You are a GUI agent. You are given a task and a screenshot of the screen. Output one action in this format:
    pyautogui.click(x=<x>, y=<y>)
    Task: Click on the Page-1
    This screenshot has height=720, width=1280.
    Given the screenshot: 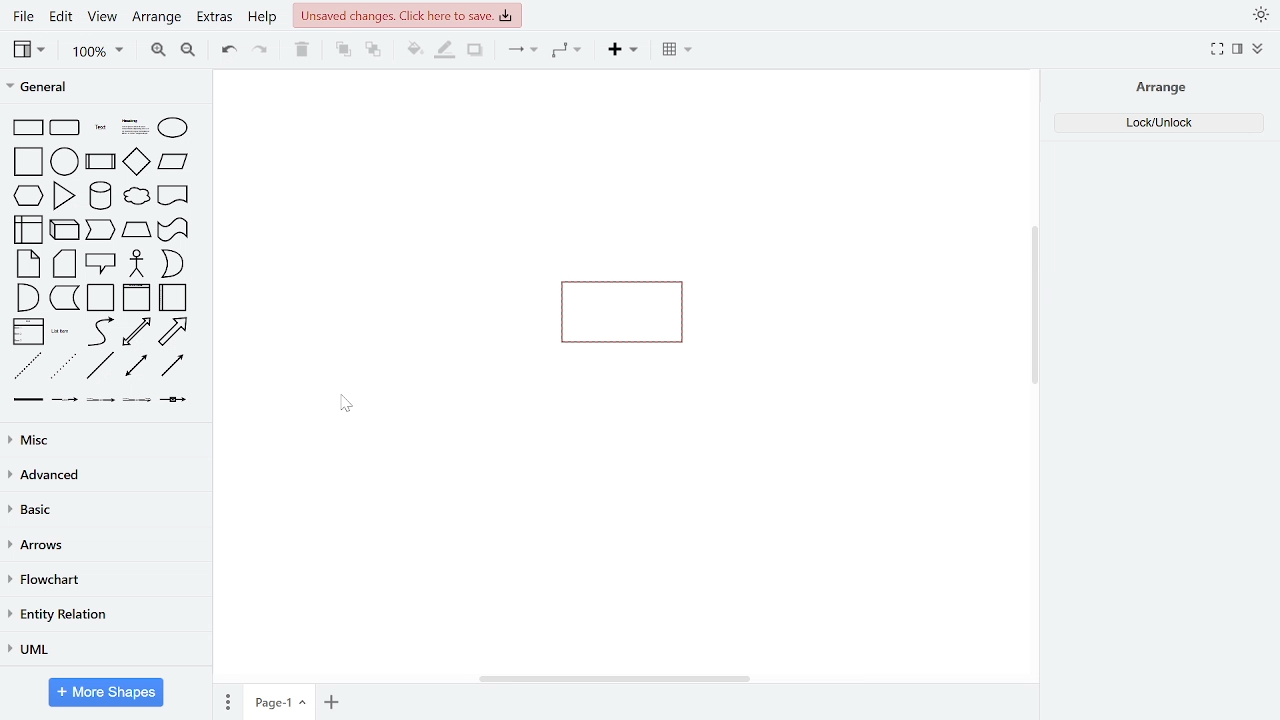 What is the action you would take?
    pyautogui.click(x=280, y=703)
    